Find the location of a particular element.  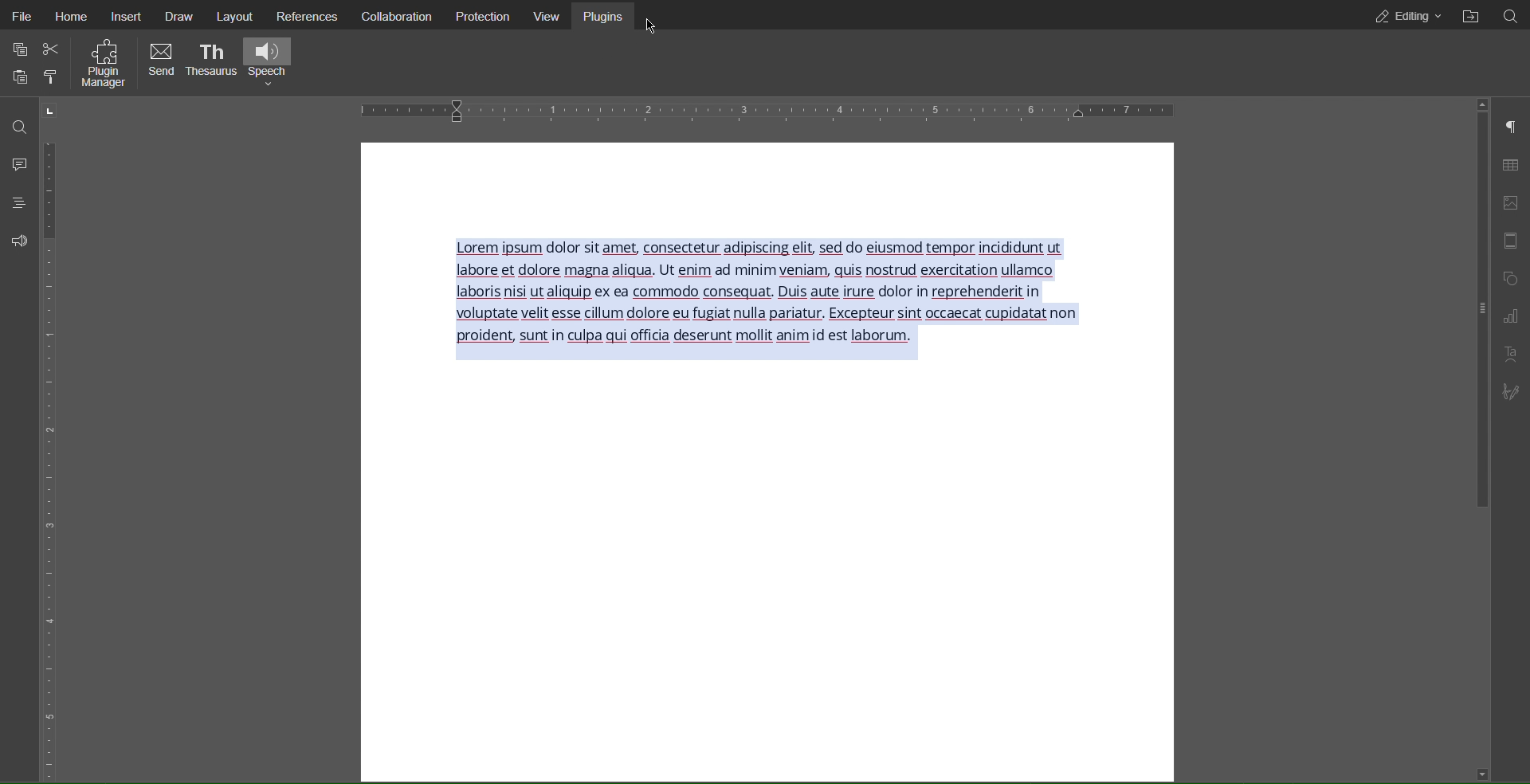

Open File Location is located at coordinates (1479, 15).